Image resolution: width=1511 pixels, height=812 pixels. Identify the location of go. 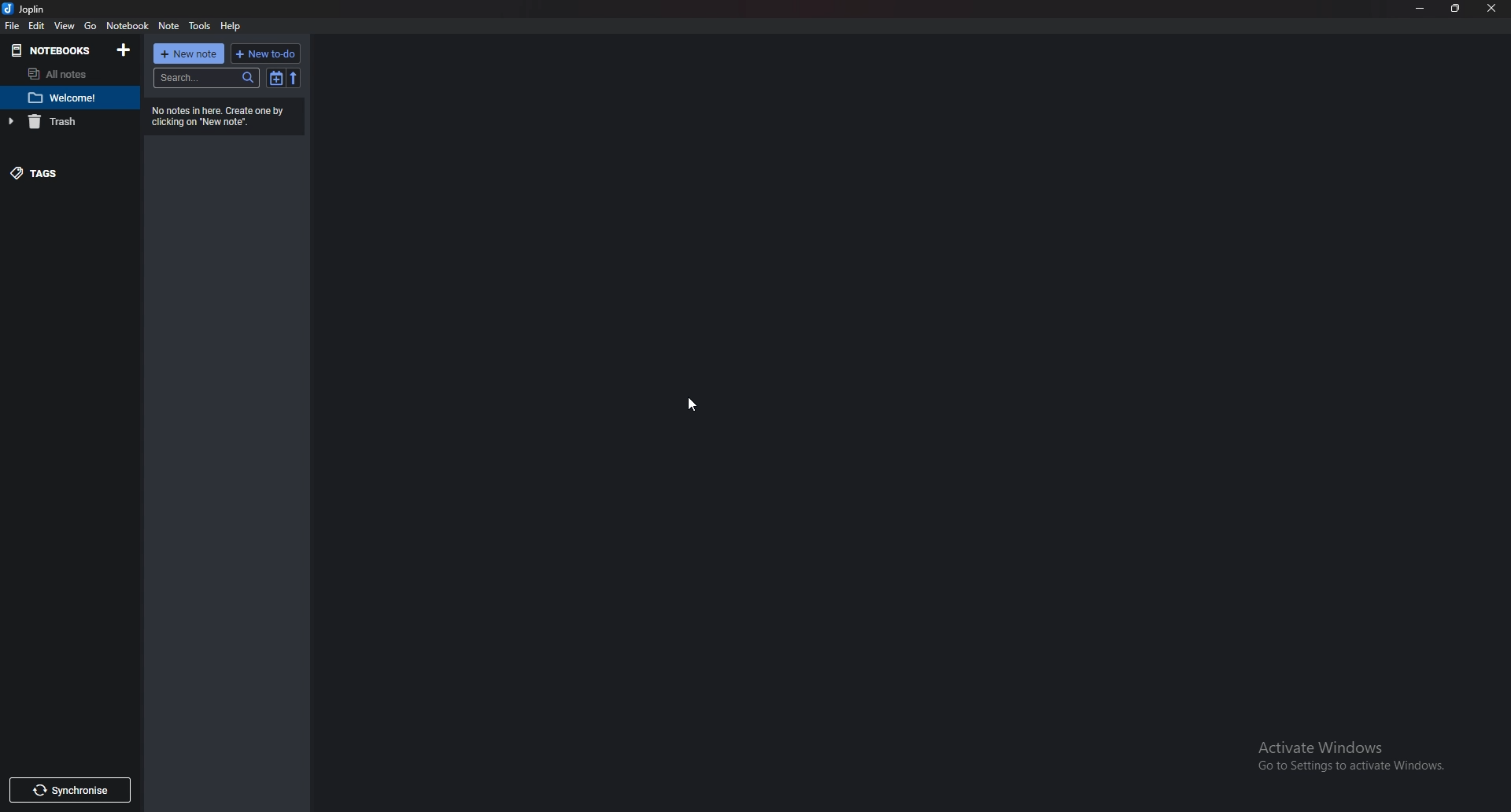
(94, 24).